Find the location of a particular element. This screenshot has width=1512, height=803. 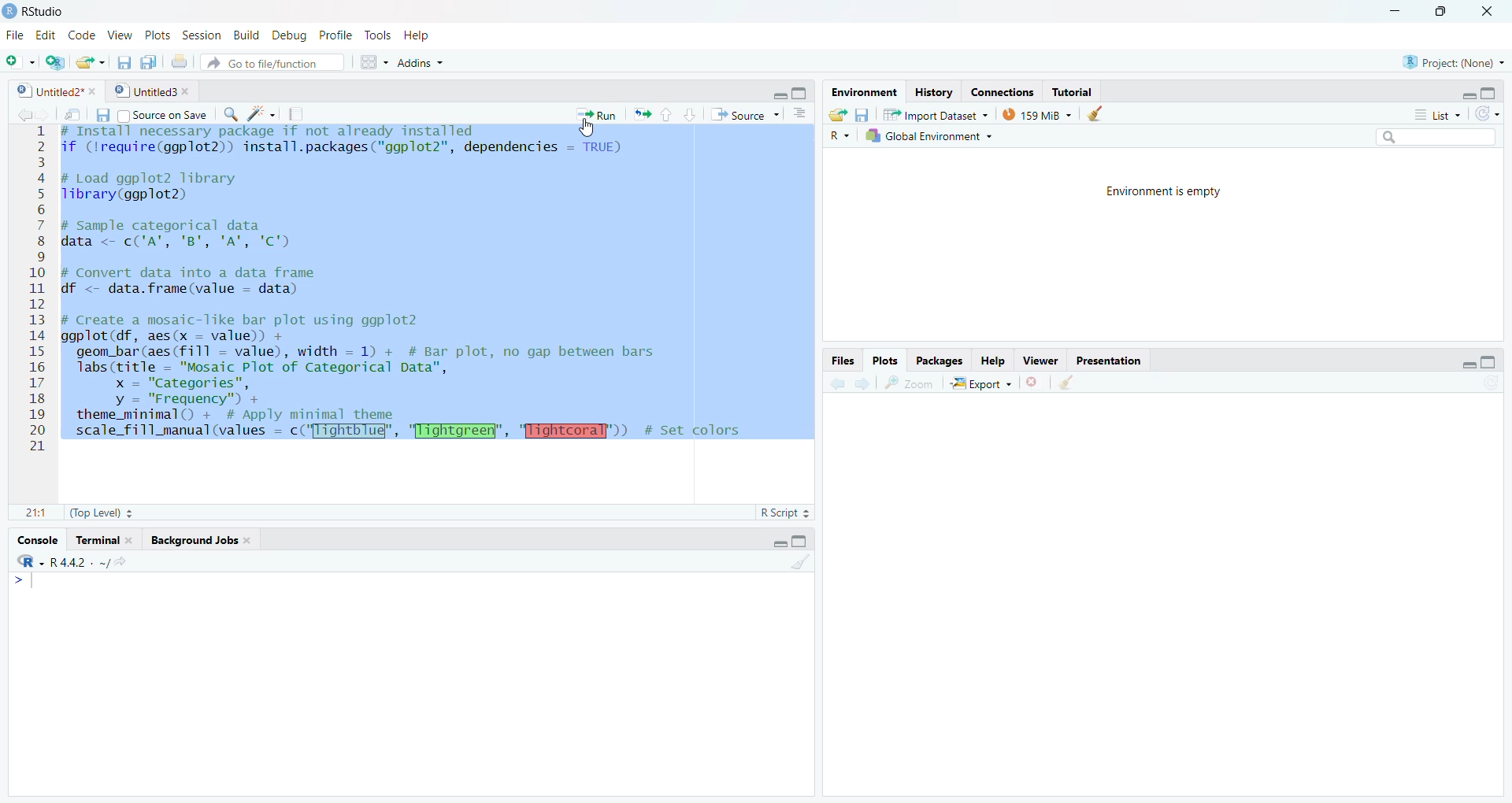

Run is located at coordinates (598, 113).